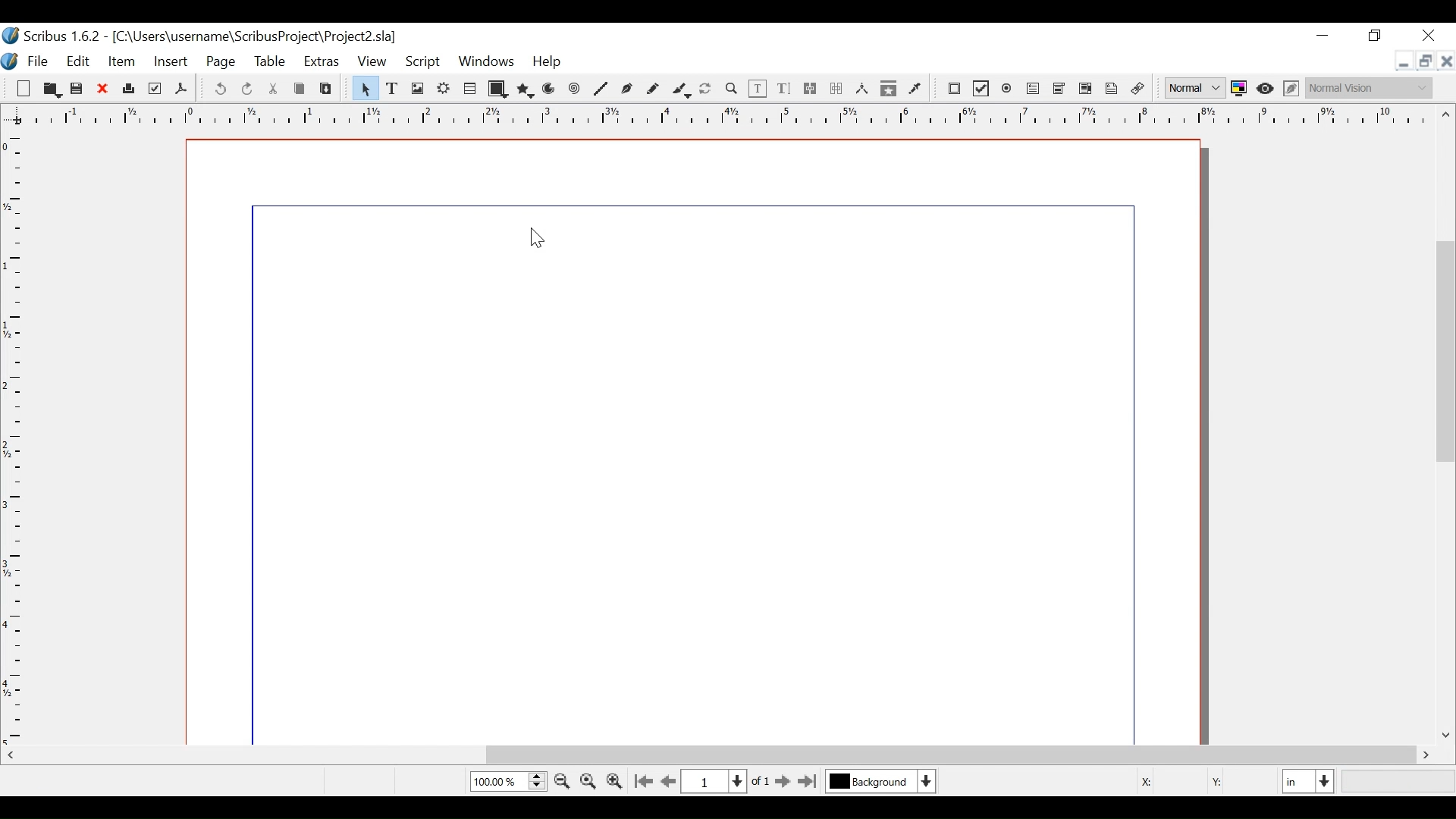 Image resolution: width=1456 pixels, height=819 pixels. Describe the element at coordinates (1034, 90) in the screenshot. I see `PDF Combo Box` at that location.